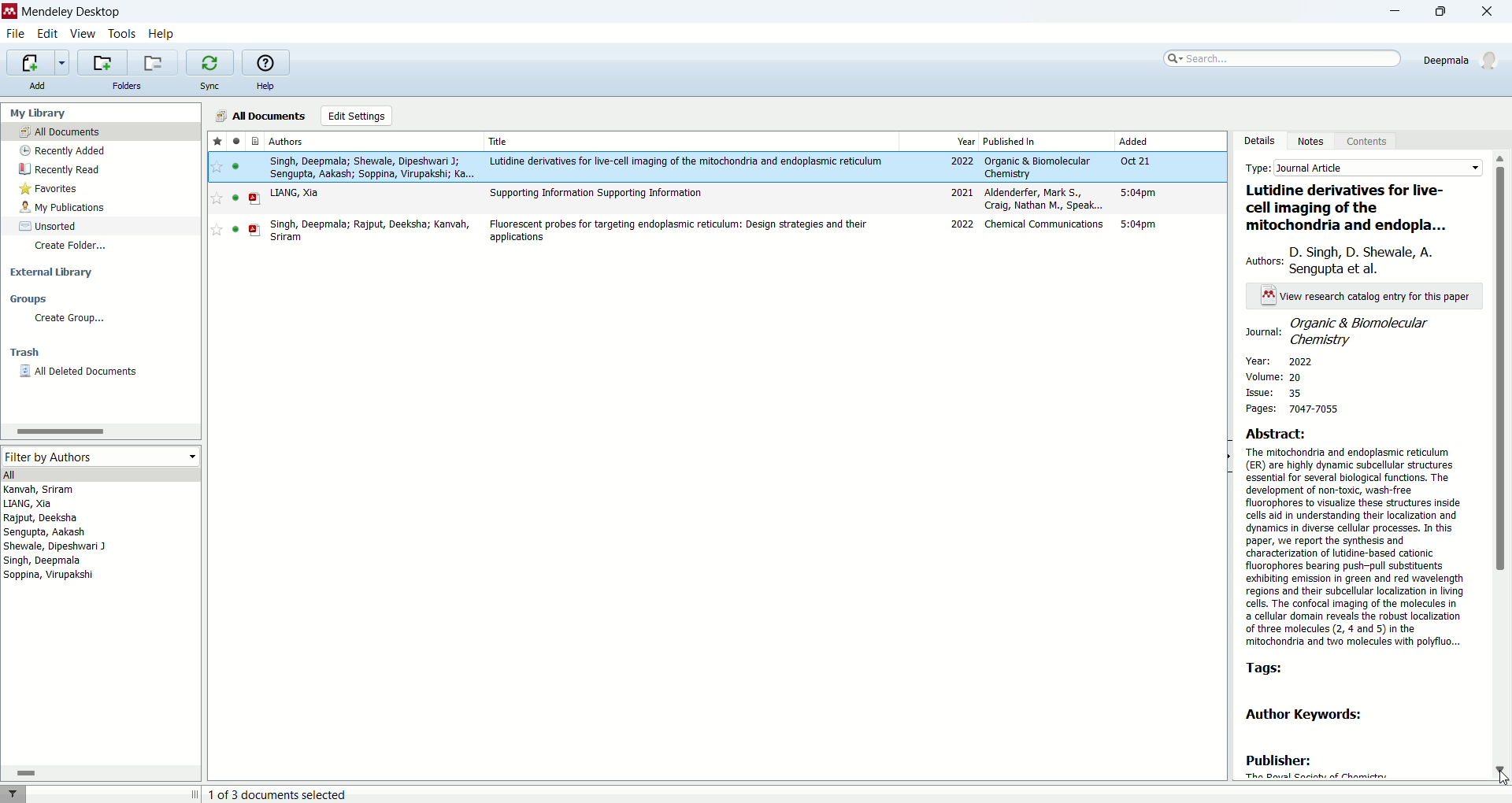  Describe the element at coordinates (1295, 409) in the screenshot. I see `pages: 7047-7055` at that location.